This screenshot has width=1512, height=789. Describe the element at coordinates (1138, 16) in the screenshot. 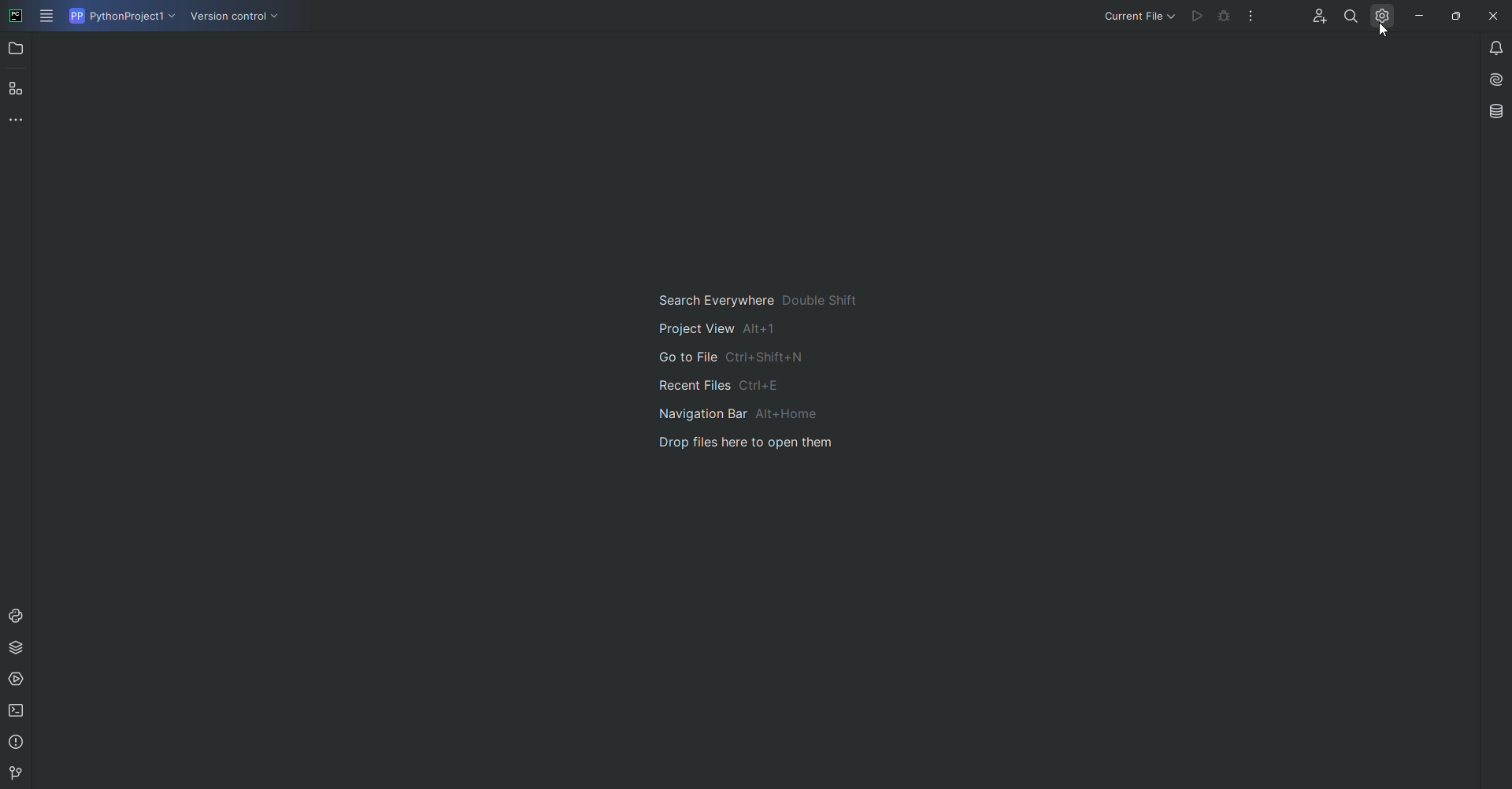

I see `Current file` at that location.